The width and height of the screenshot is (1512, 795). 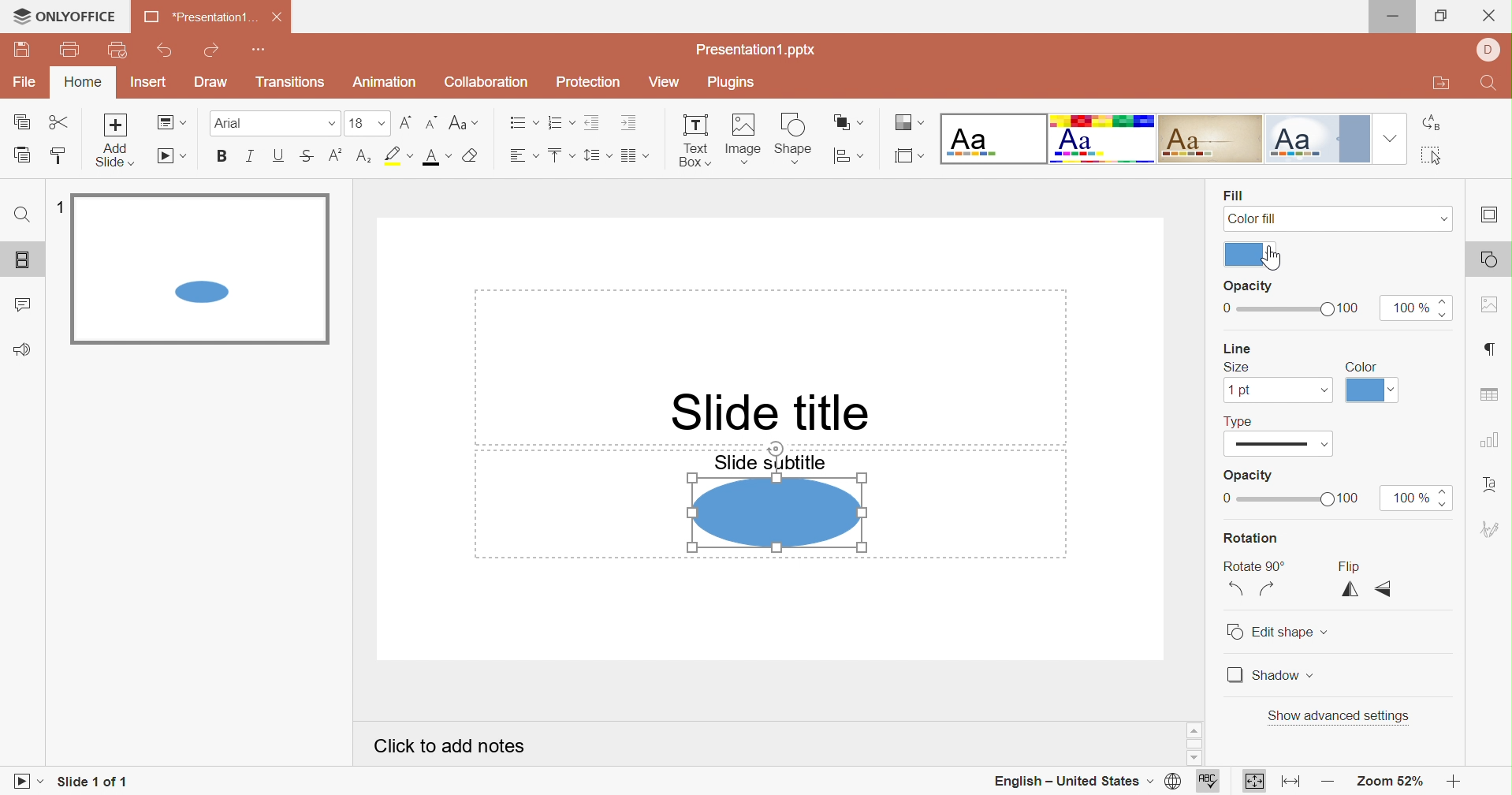 What do you see at coordinates (1391, 139) in the screenshot?
I see `Drop down` at bounding box center [1391, 139].